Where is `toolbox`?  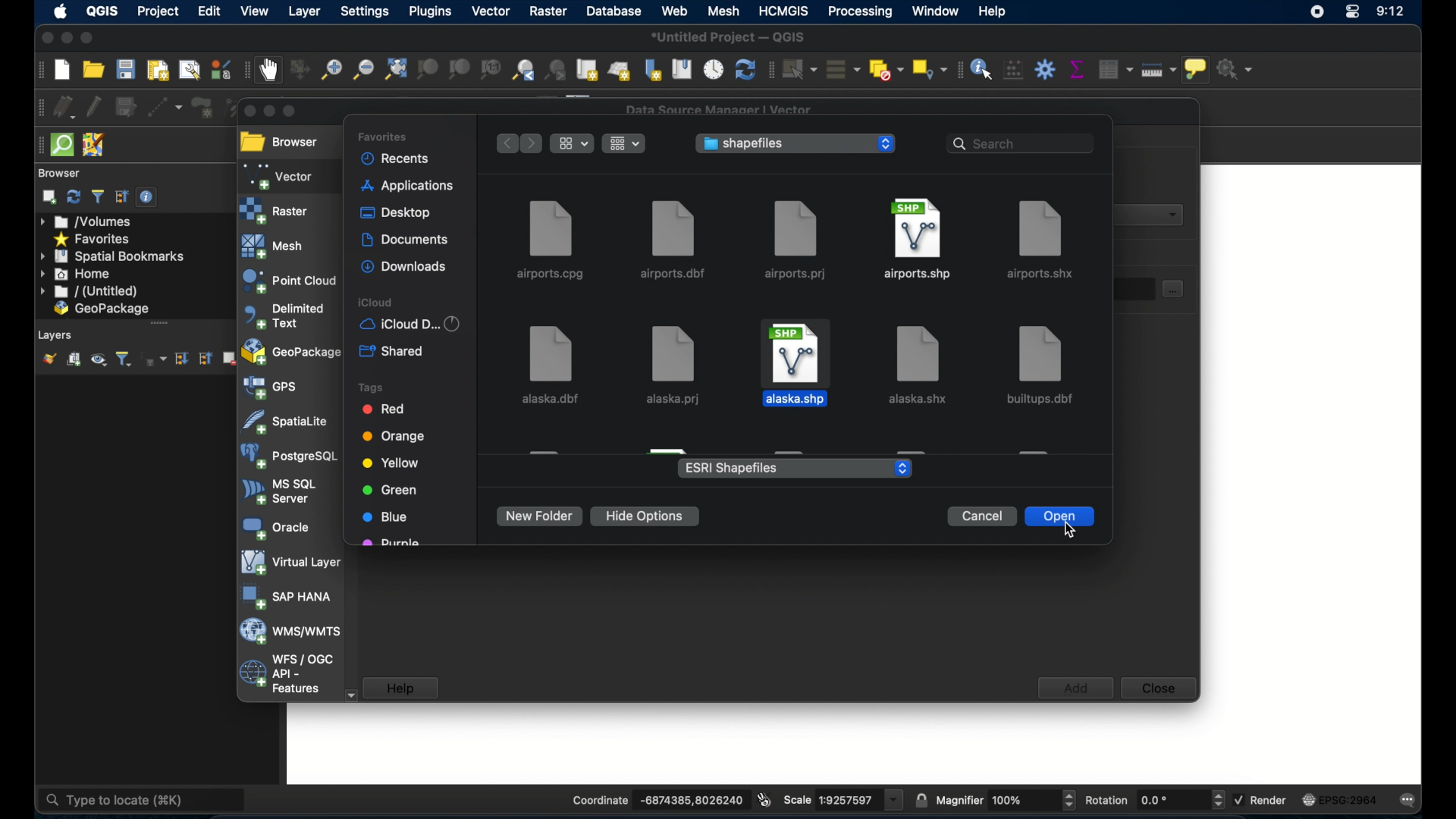
toolbox is located at coordinates (1045, 67).